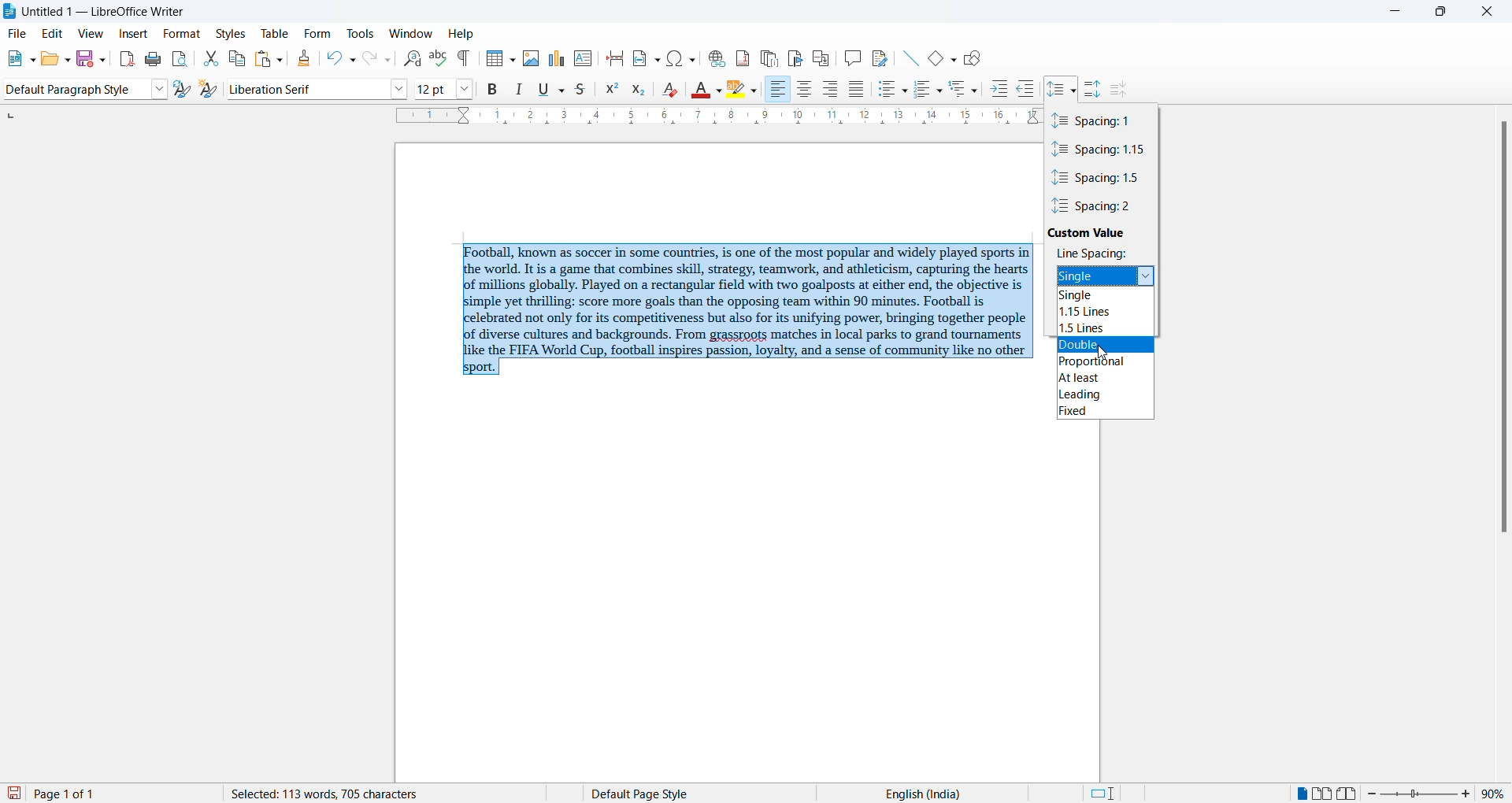 The height and width of the screenshot is (803, 1512). Describe the element at coordinates (1349, 794) in the screenshot. I see `book view` at that location.